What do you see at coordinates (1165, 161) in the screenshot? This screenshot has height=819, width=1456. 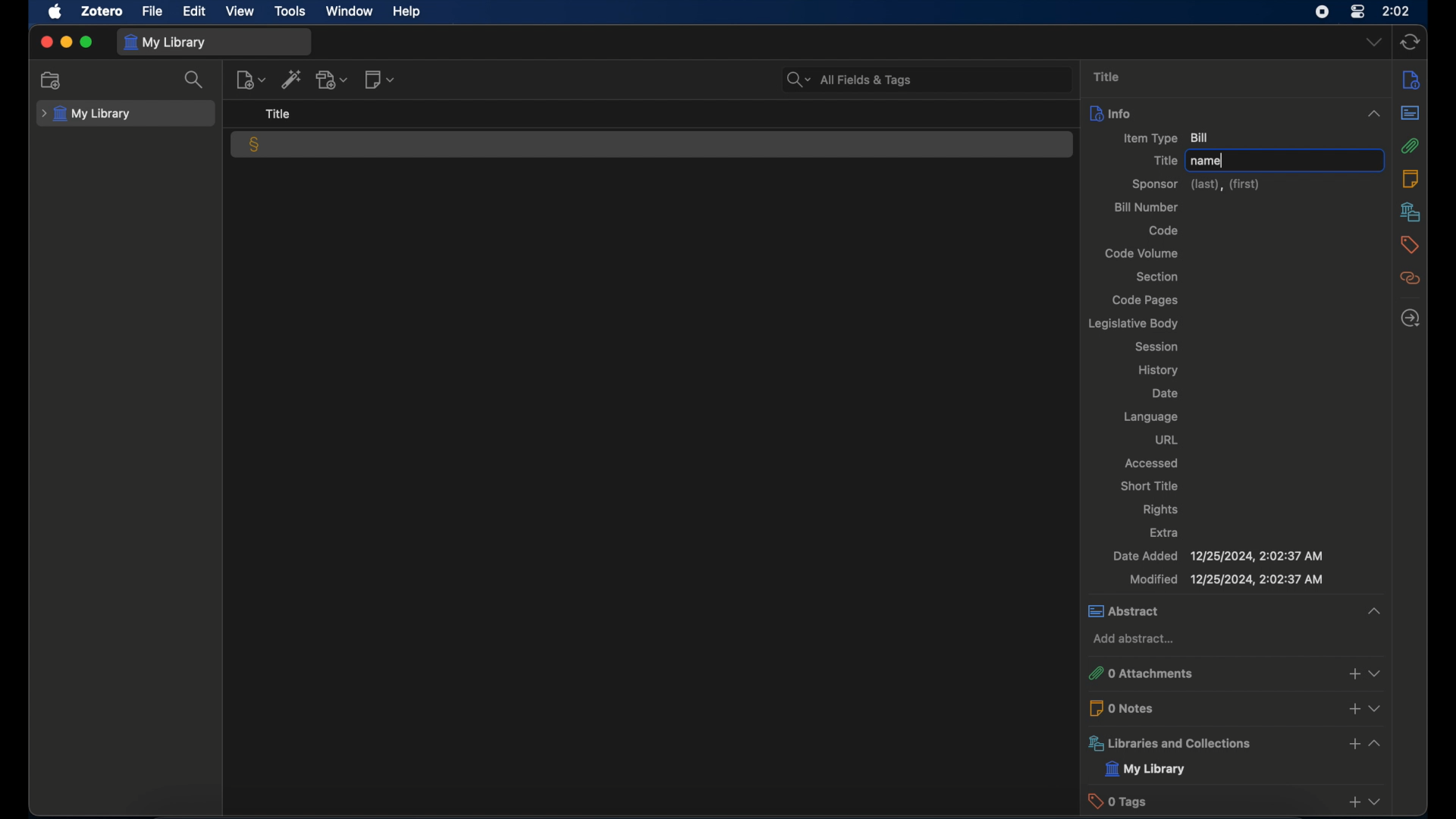 I see `title` at bounding box center [1165, 161].